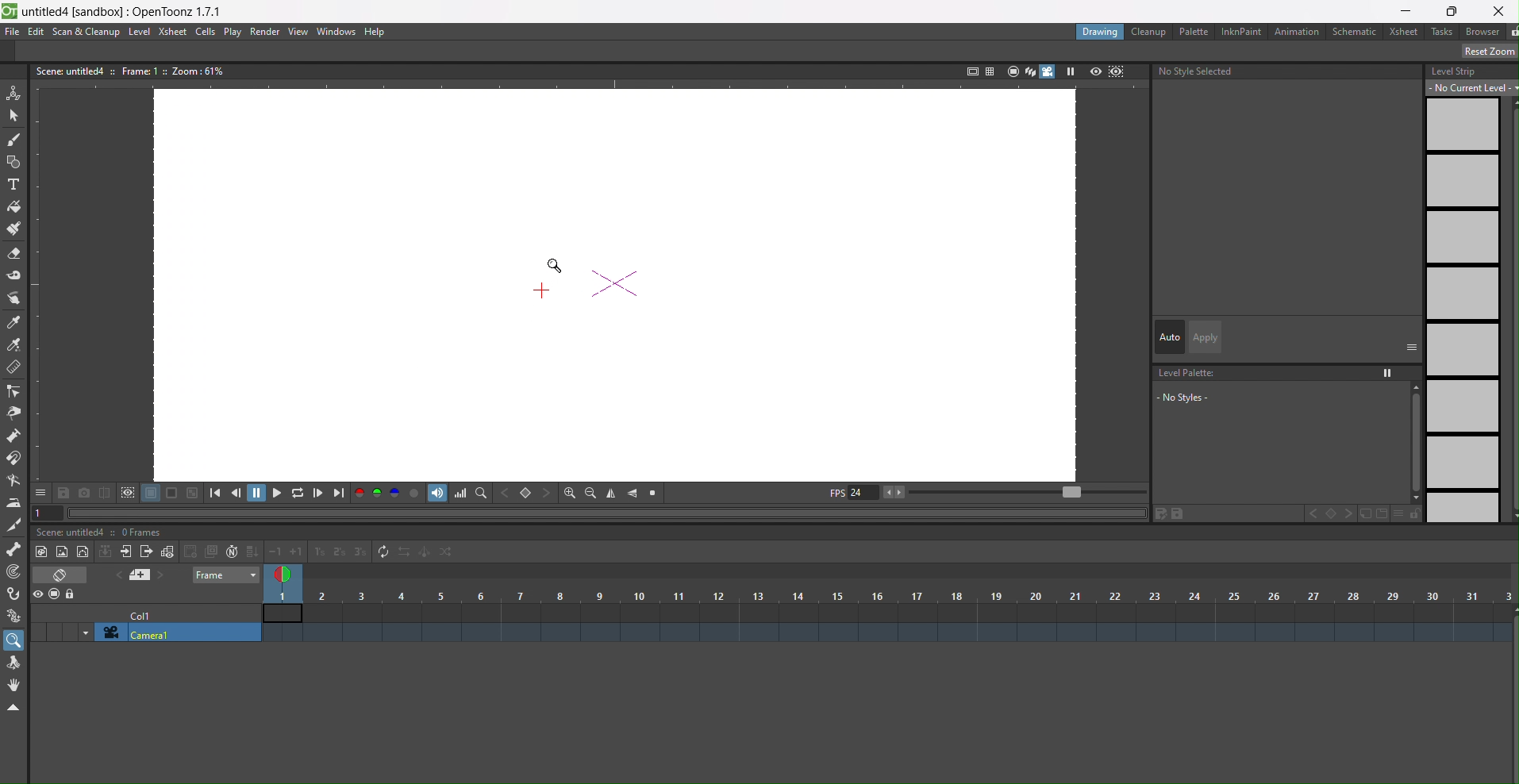  What do you see at coordinates (483, 492) in the screenshot?
I see `` at bounding box center [483, 492].